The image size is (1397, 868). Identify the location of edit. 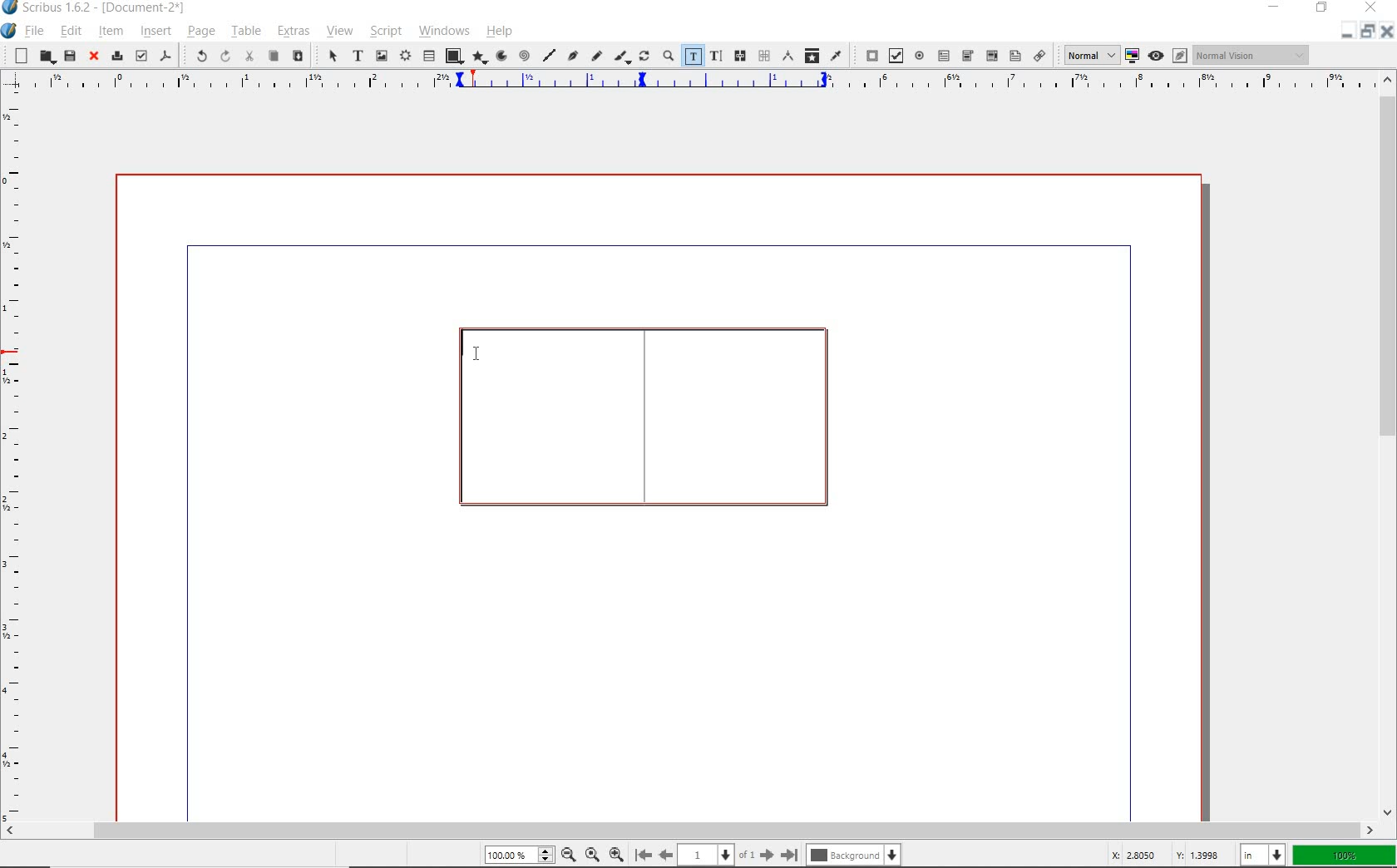
(71, 32).